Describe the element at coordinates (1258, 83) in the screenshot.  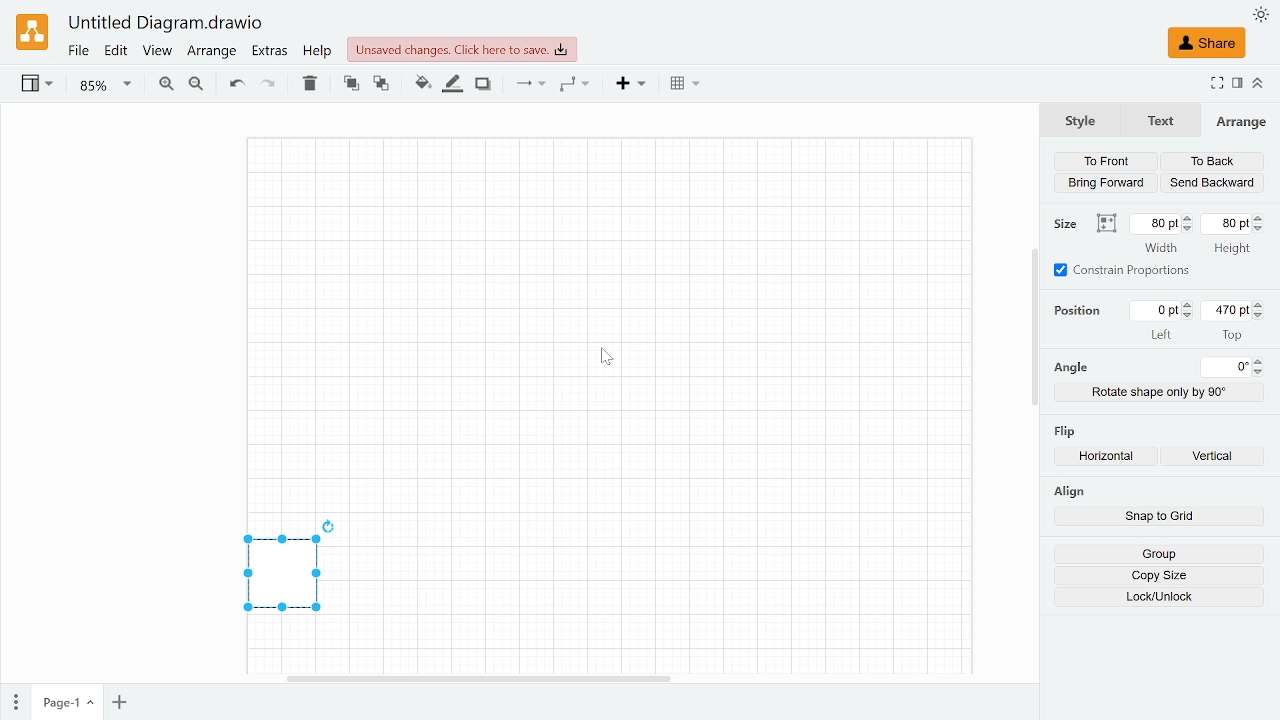
I see `Collapse /expamd` at that location.